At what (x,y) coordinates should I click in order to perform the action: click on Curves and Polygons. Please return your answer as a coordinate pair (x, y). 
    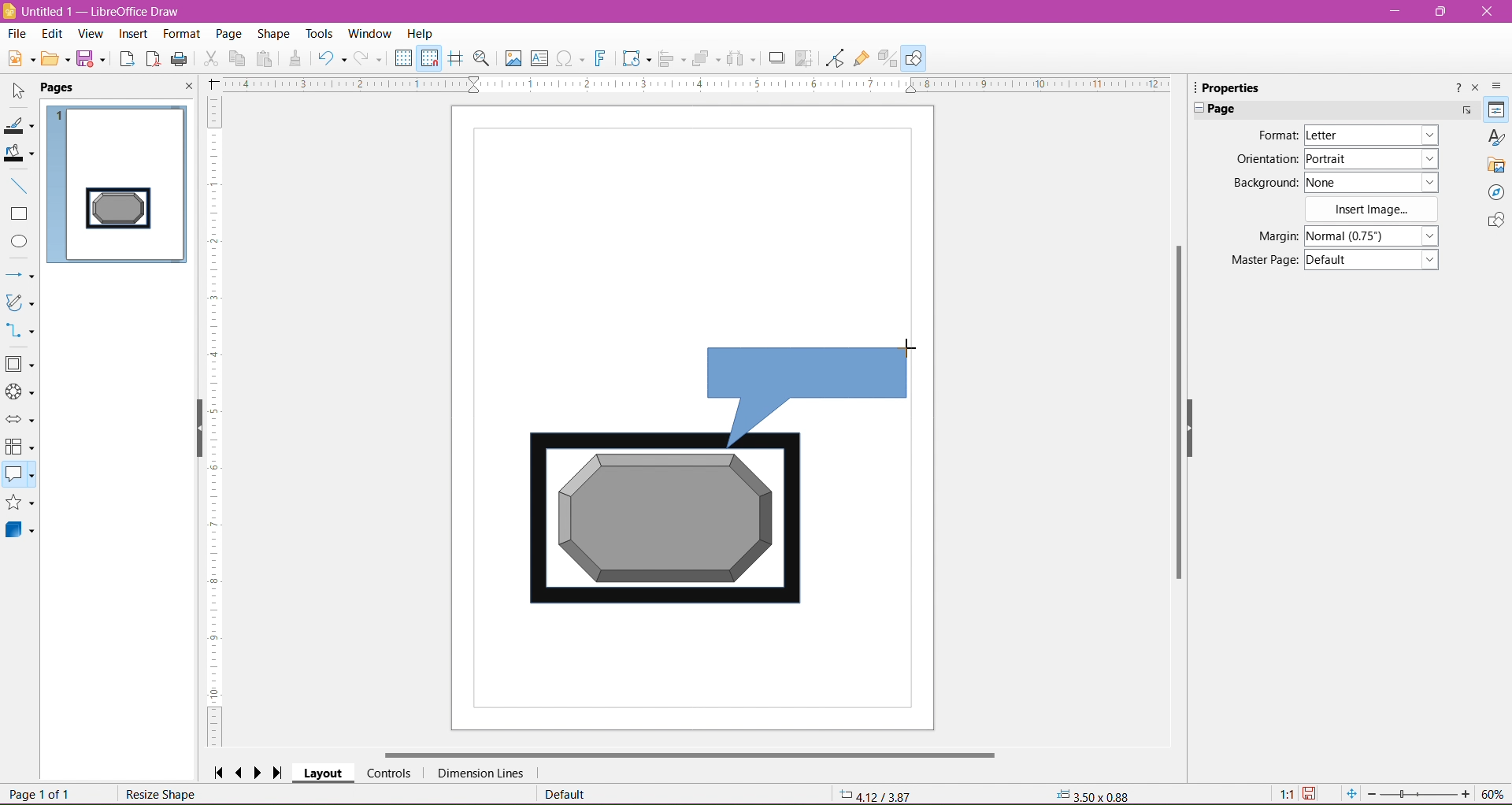
    Looking at the image, I should click on (20, 303).